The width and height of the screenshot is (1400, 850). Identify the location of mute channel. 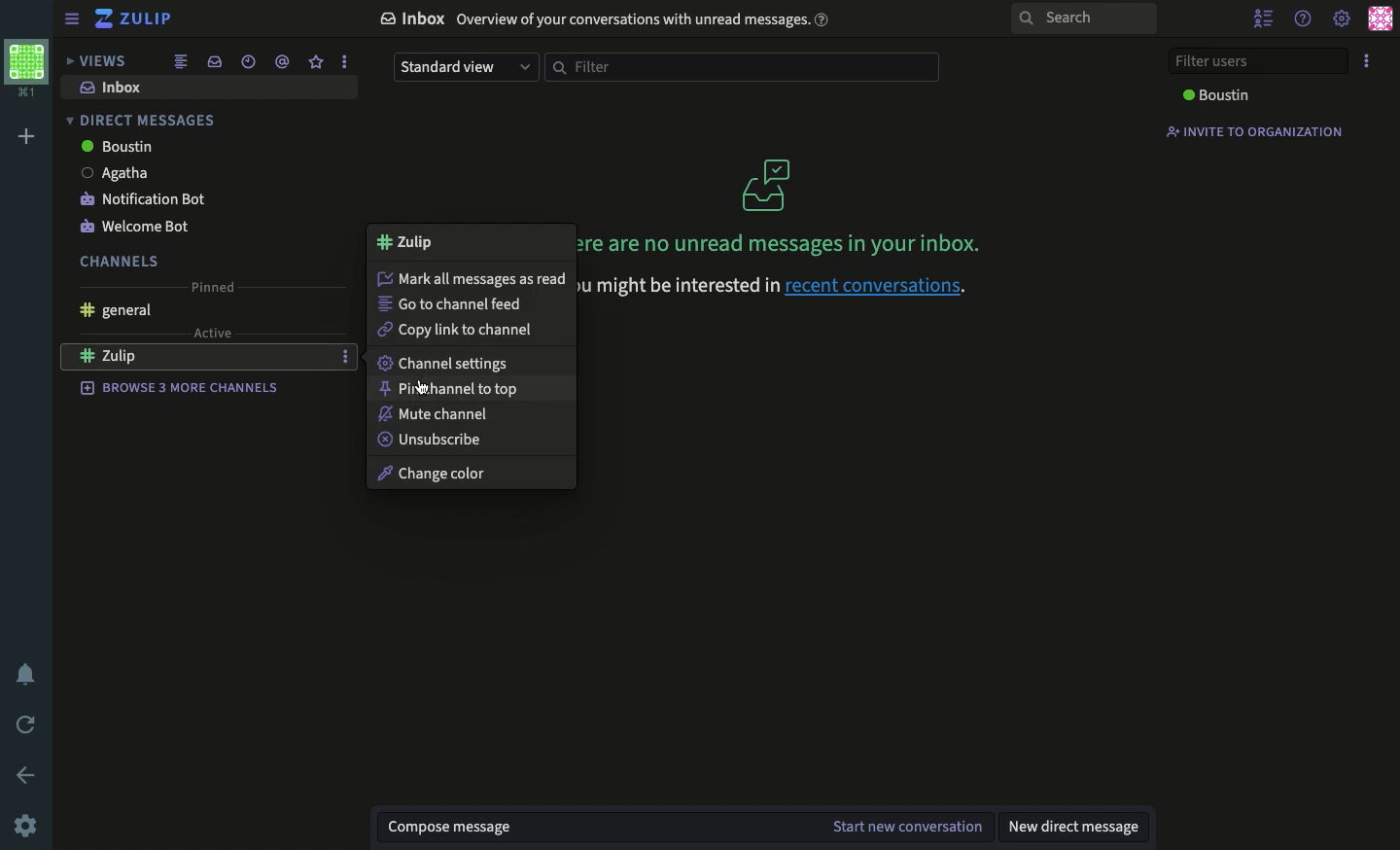
(437, 415).